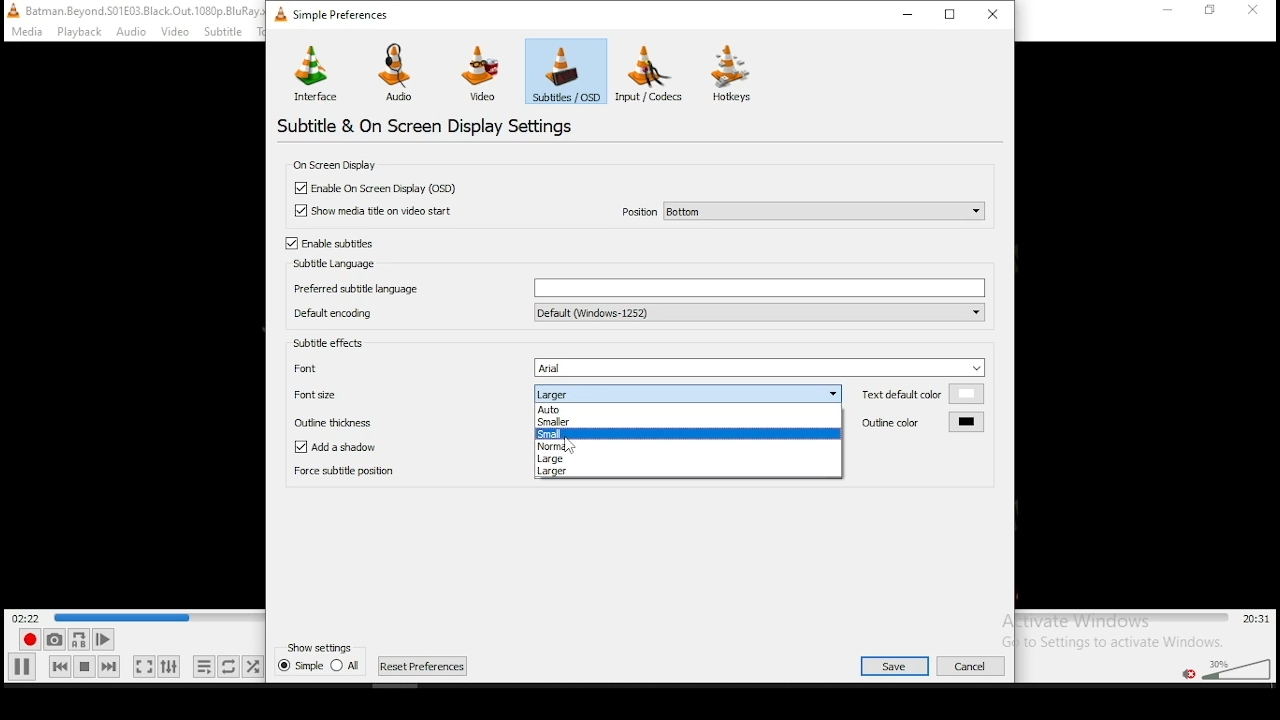 This screenshot has height=720, width=1280. Describe the element at coordinates (176, 32) in the screenshot. I see `` at that location.